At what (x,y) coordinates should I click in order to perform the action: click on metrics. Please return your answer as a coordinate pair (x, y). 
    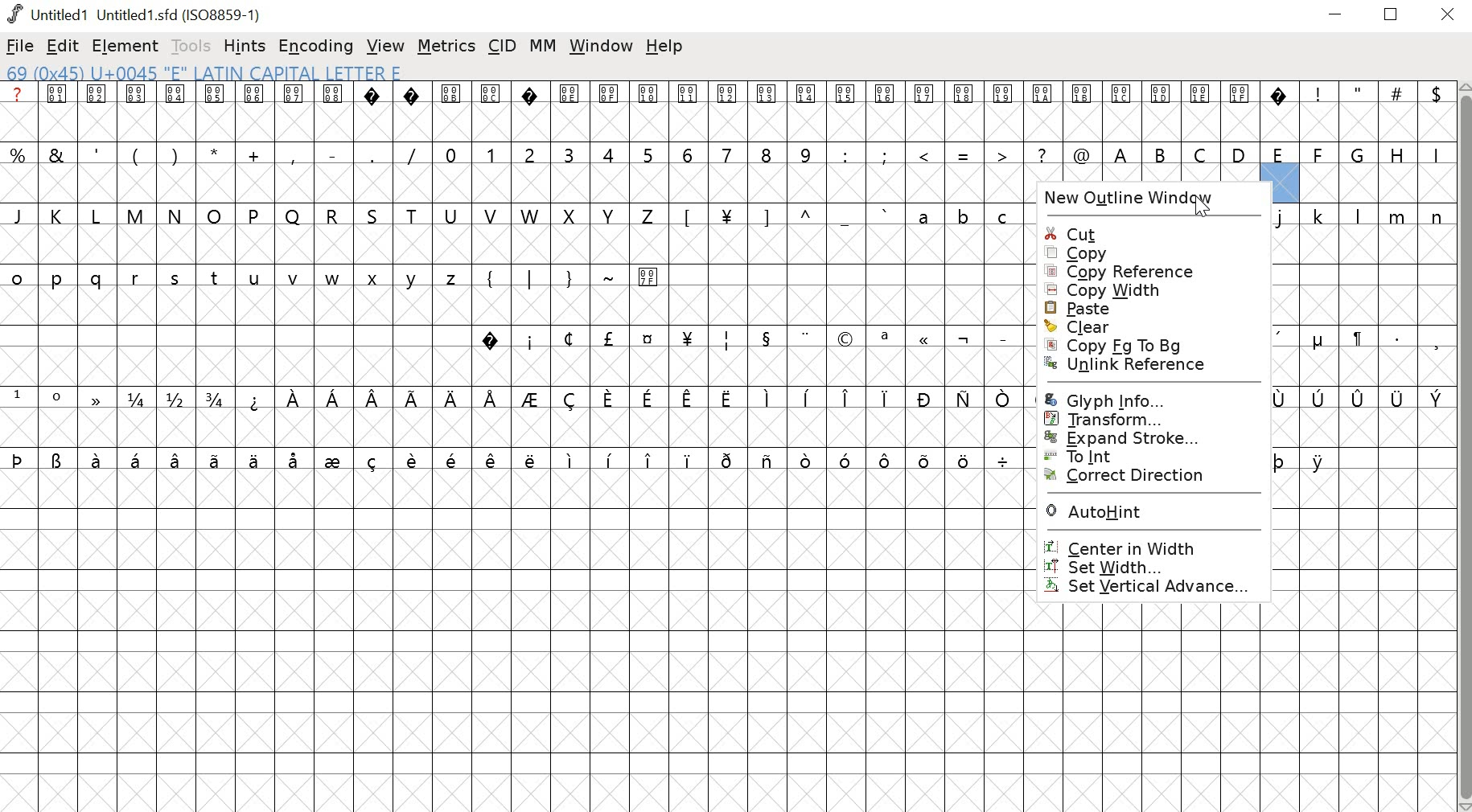
    Looking at the image, I should click on (446, 48).